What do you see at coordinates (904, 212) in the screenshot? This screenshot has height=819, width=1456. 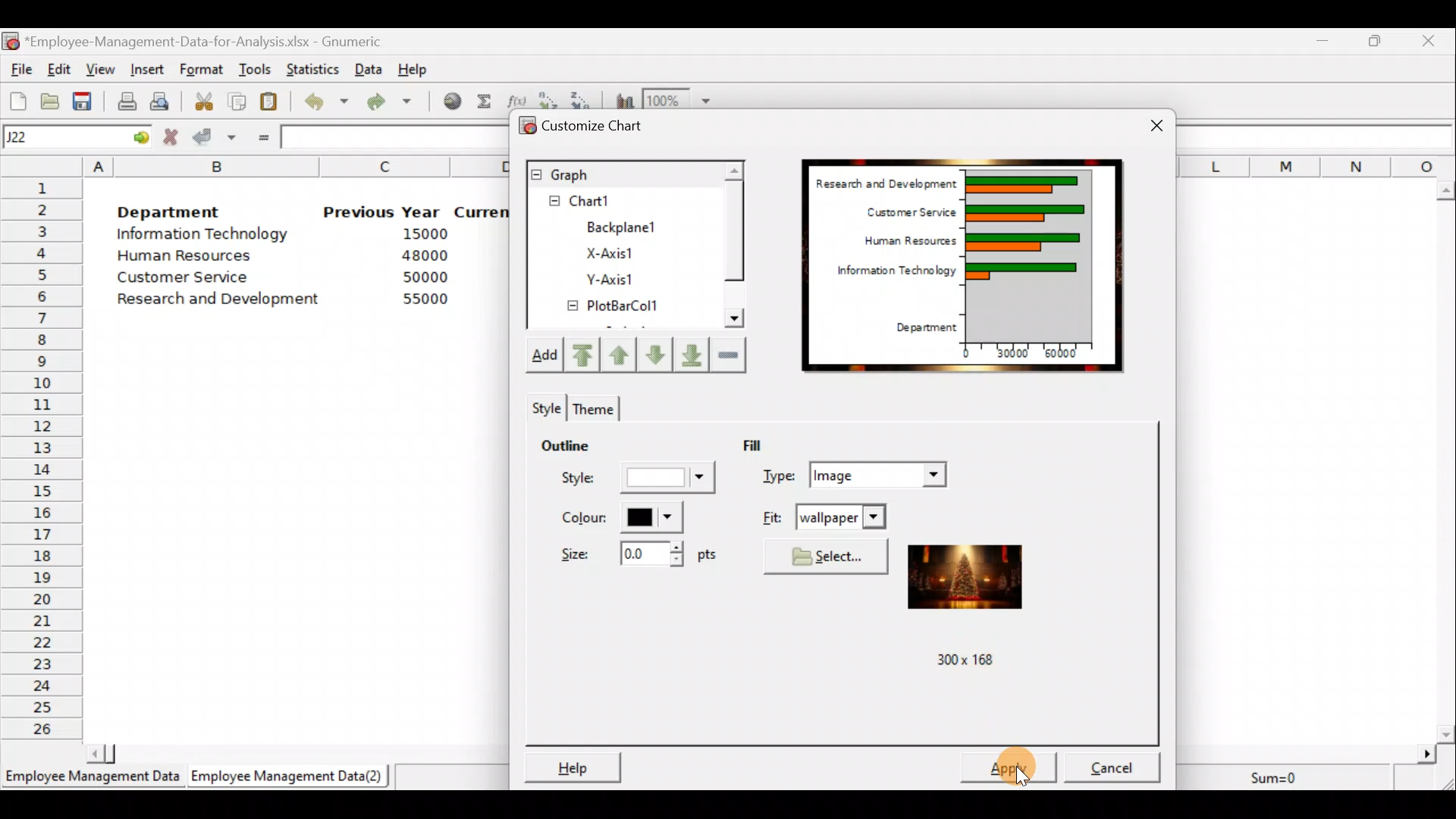 I see `Customer Service` at bounding box center [904, 212].